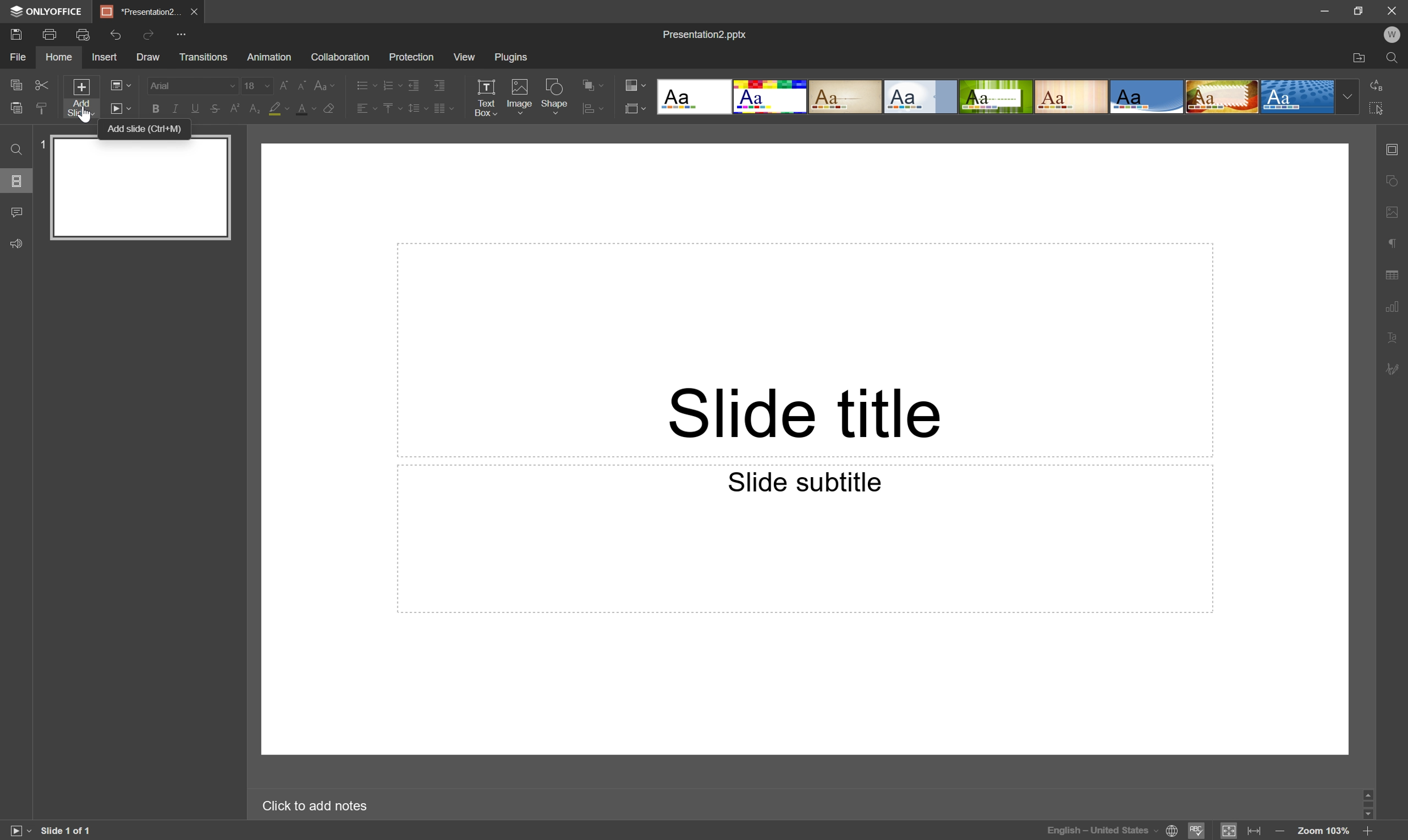 The width and height of the screenshot is (1408, 840). Describe the element at coordinates (416, 111) in the screenshot. I see `Line spacing` at that location.